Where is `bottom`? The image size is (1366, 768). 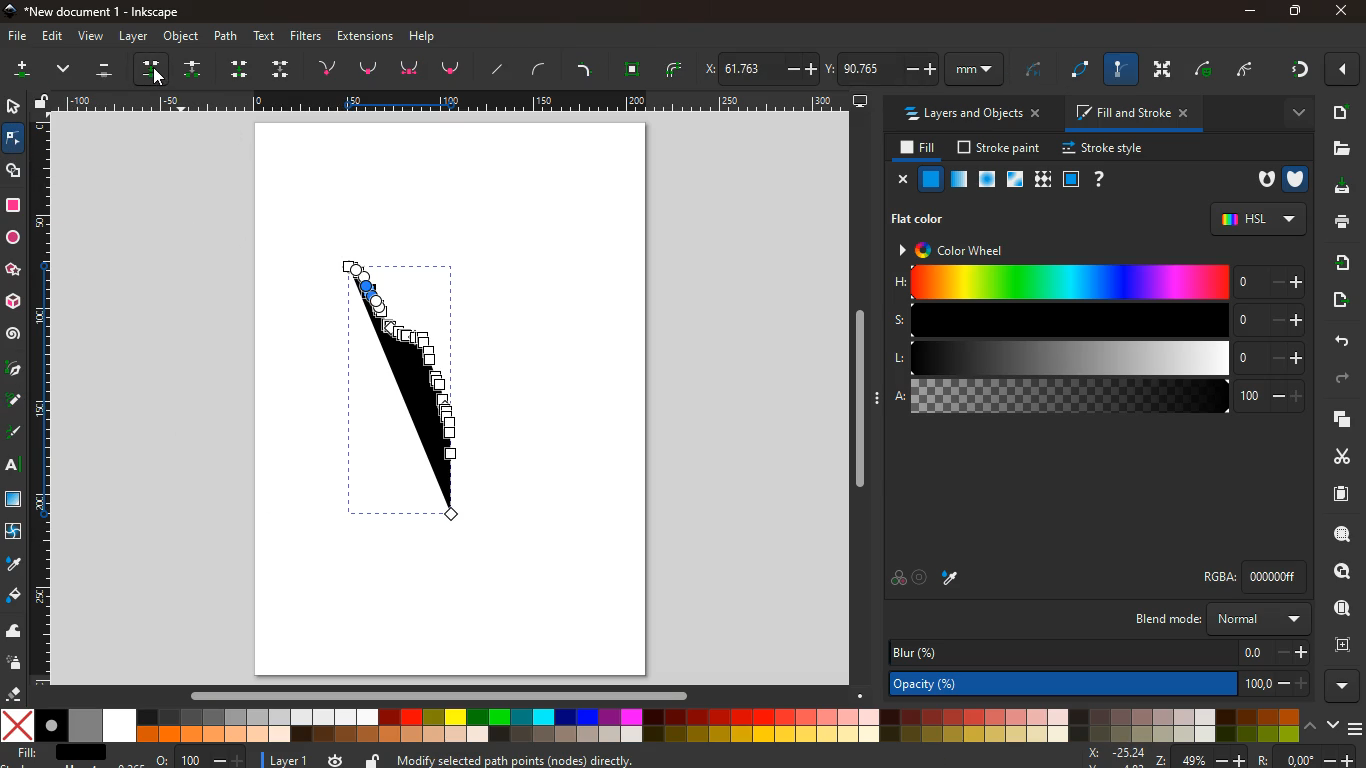 bottom is located at coordinates (453, 72).